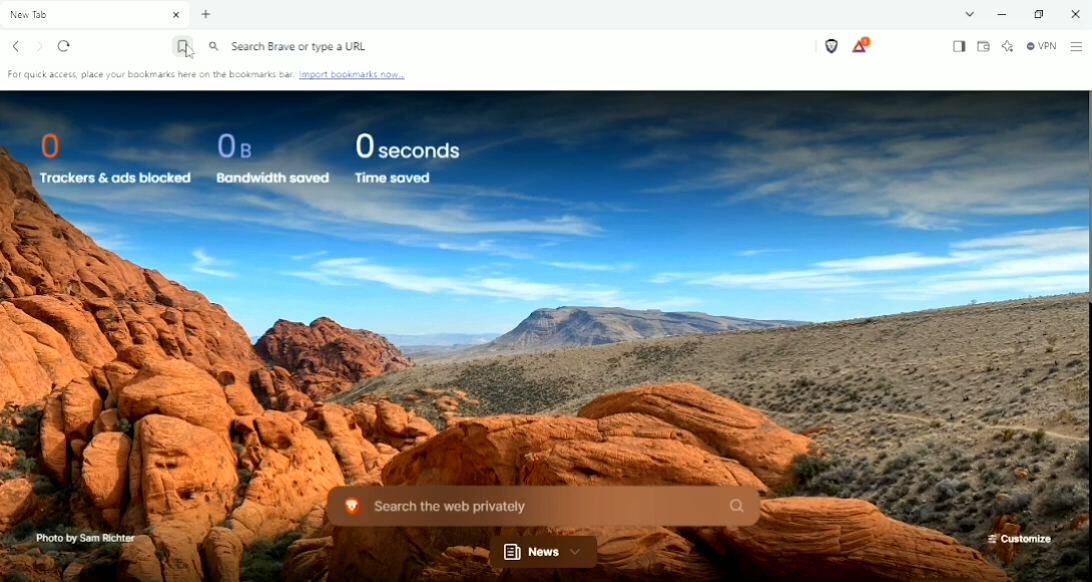 The height and width of the screenshot is (582, 1092). What do you see at coordinates (1076, 47) in the screenshot?
I see `Customize and Control Brave` at bounding box center [1076, 47].